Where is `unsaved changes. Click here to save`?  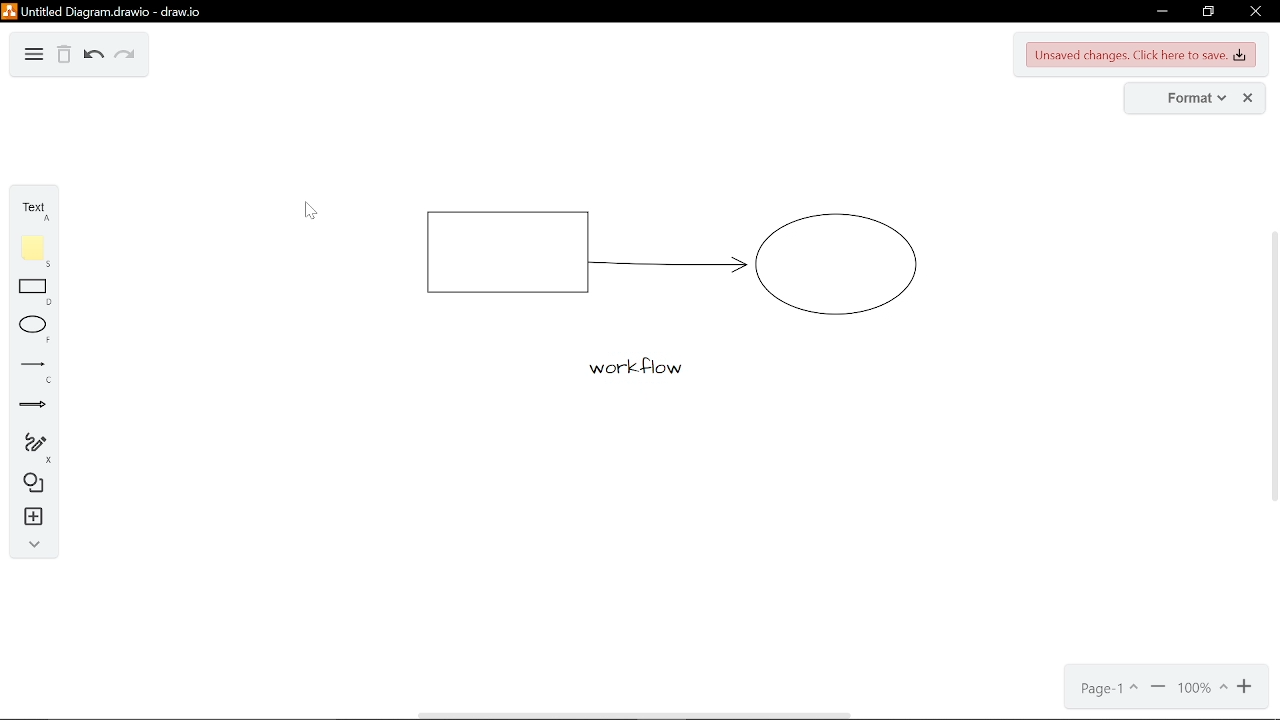
unsaved changes. Click here to save is located at coordinates (1142, 55).